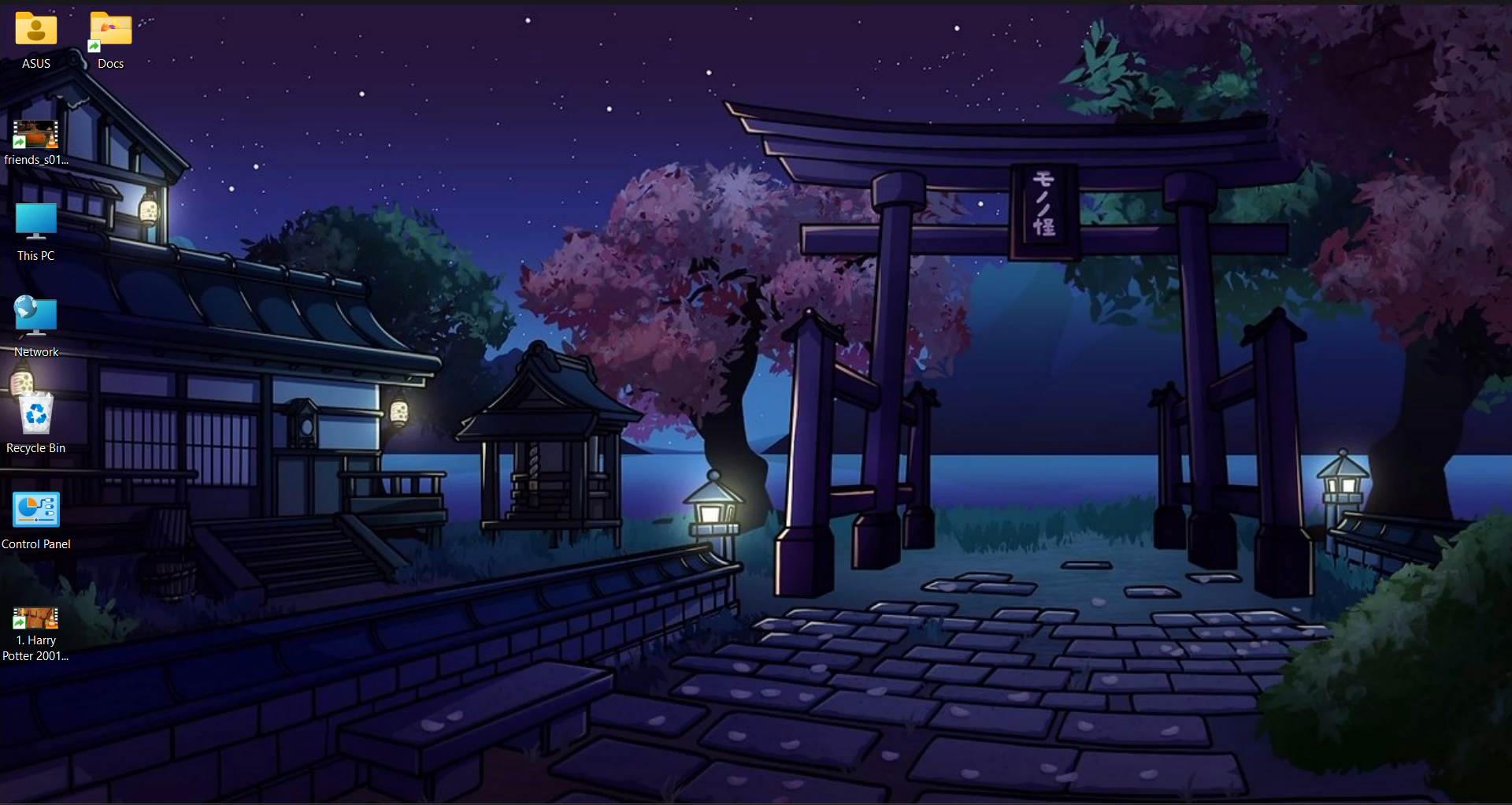  Describe the element at coordinates (43, 427) in the screenshot. I see `|}
Recycle Bin` at that location.